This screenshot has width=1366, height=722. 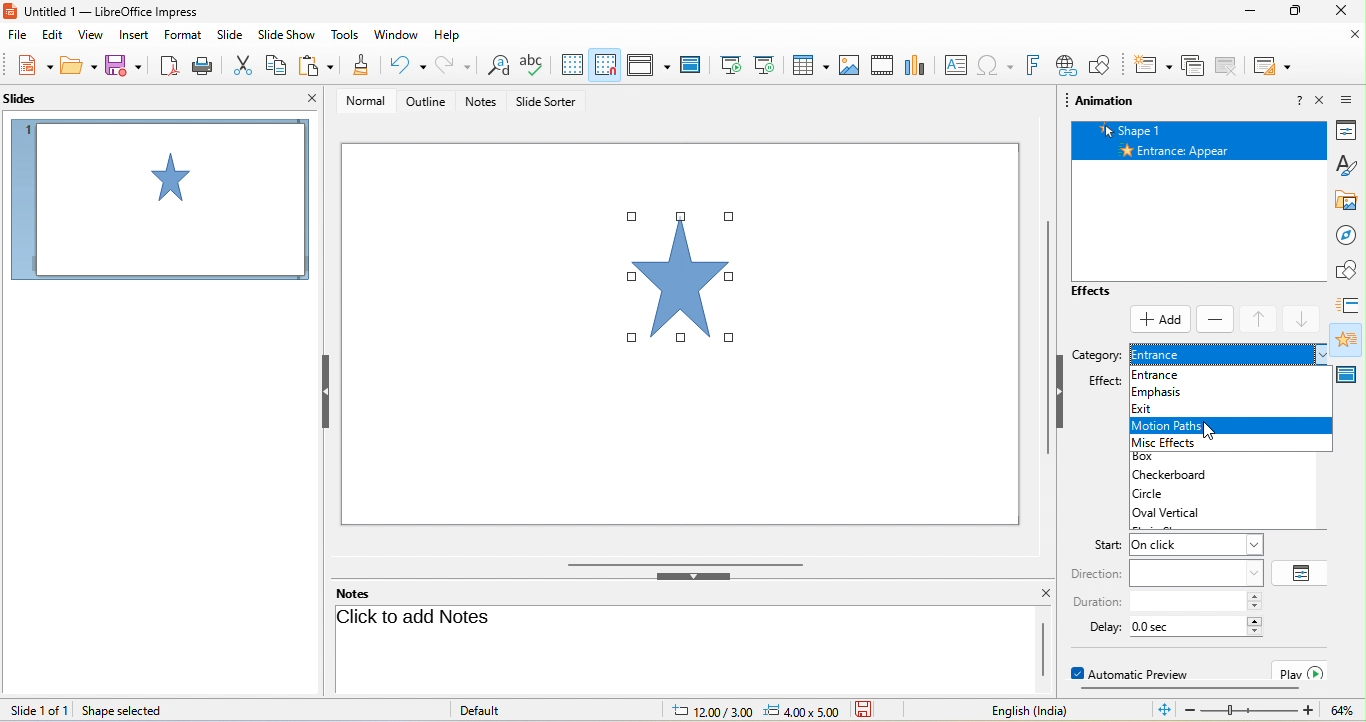 I want to click on slide, so click(x=231, y=36).